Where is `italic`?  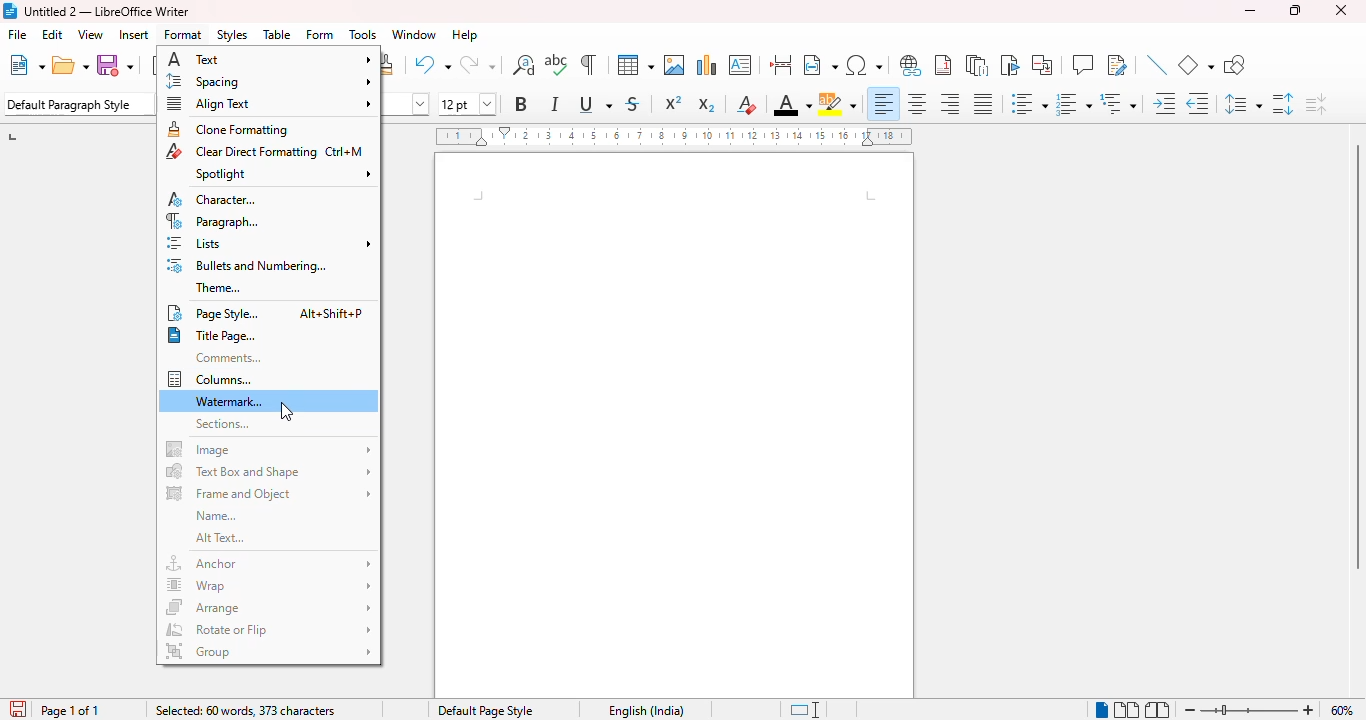 italic is located at coordinates (554, 104).